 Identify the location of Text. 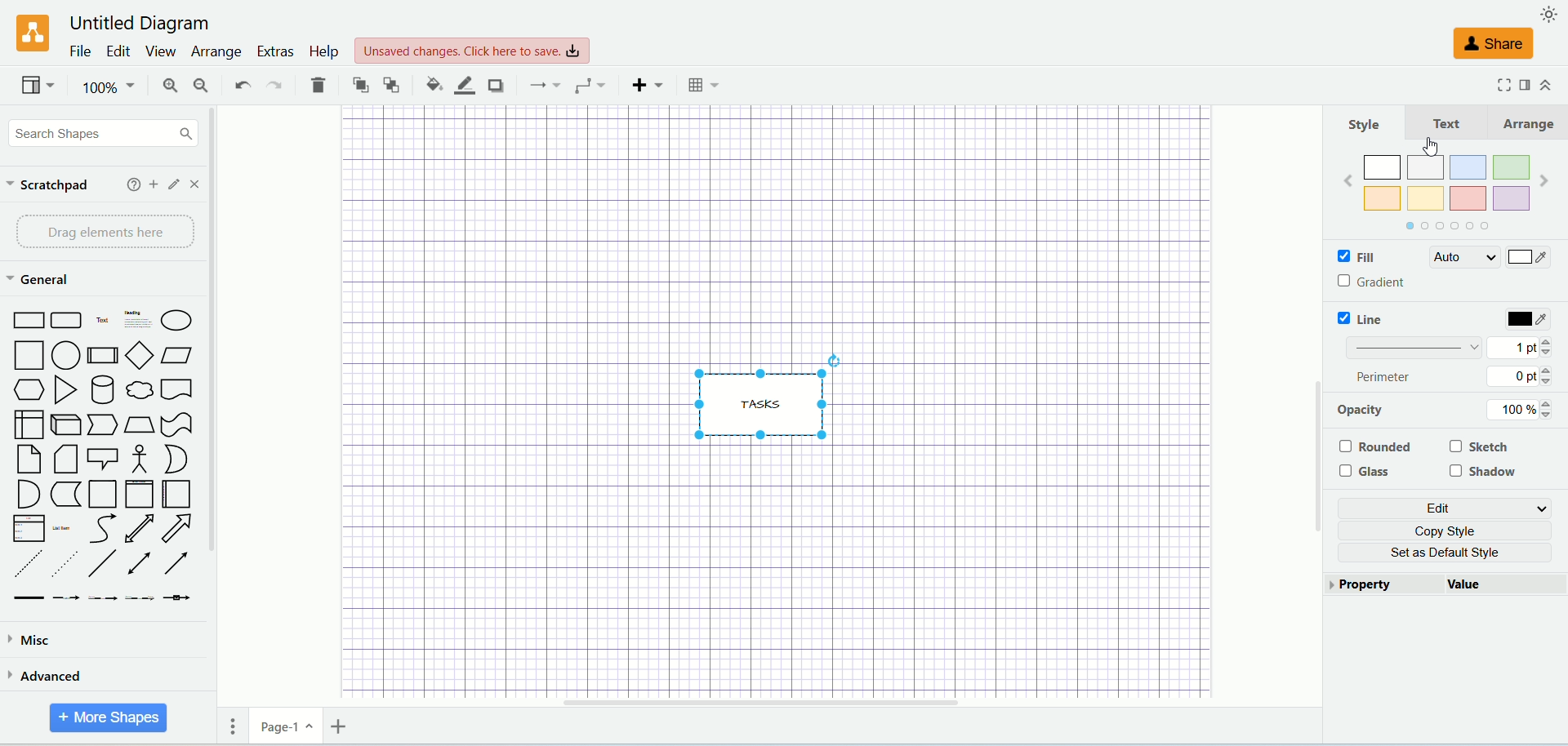
(103, 318).